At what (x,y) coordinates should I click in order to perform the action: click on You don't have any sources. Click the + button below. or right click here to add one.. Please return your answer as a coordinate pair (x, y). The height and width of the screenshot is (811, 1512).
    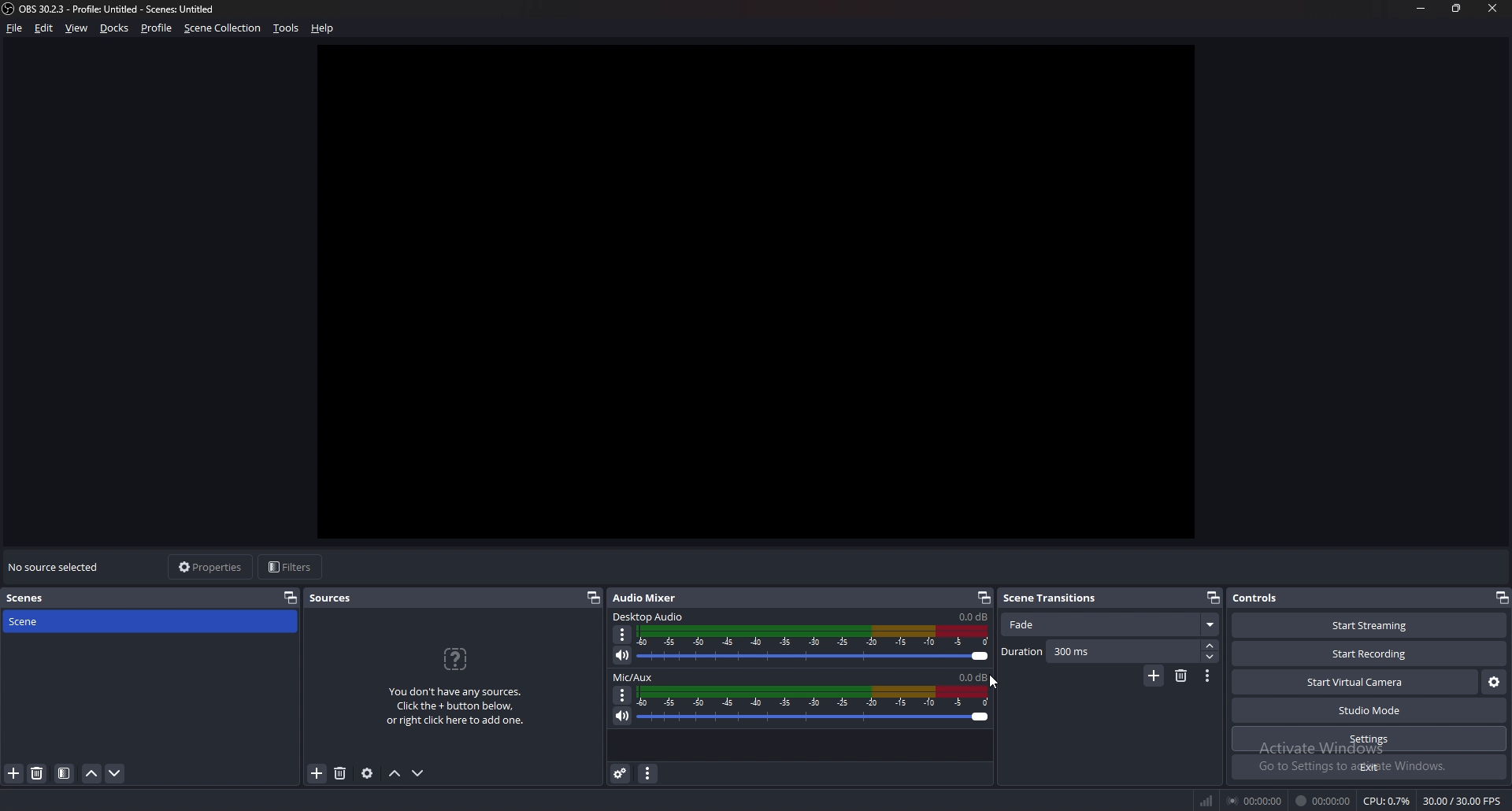
    Looking at the image, I should click on (454, 708).